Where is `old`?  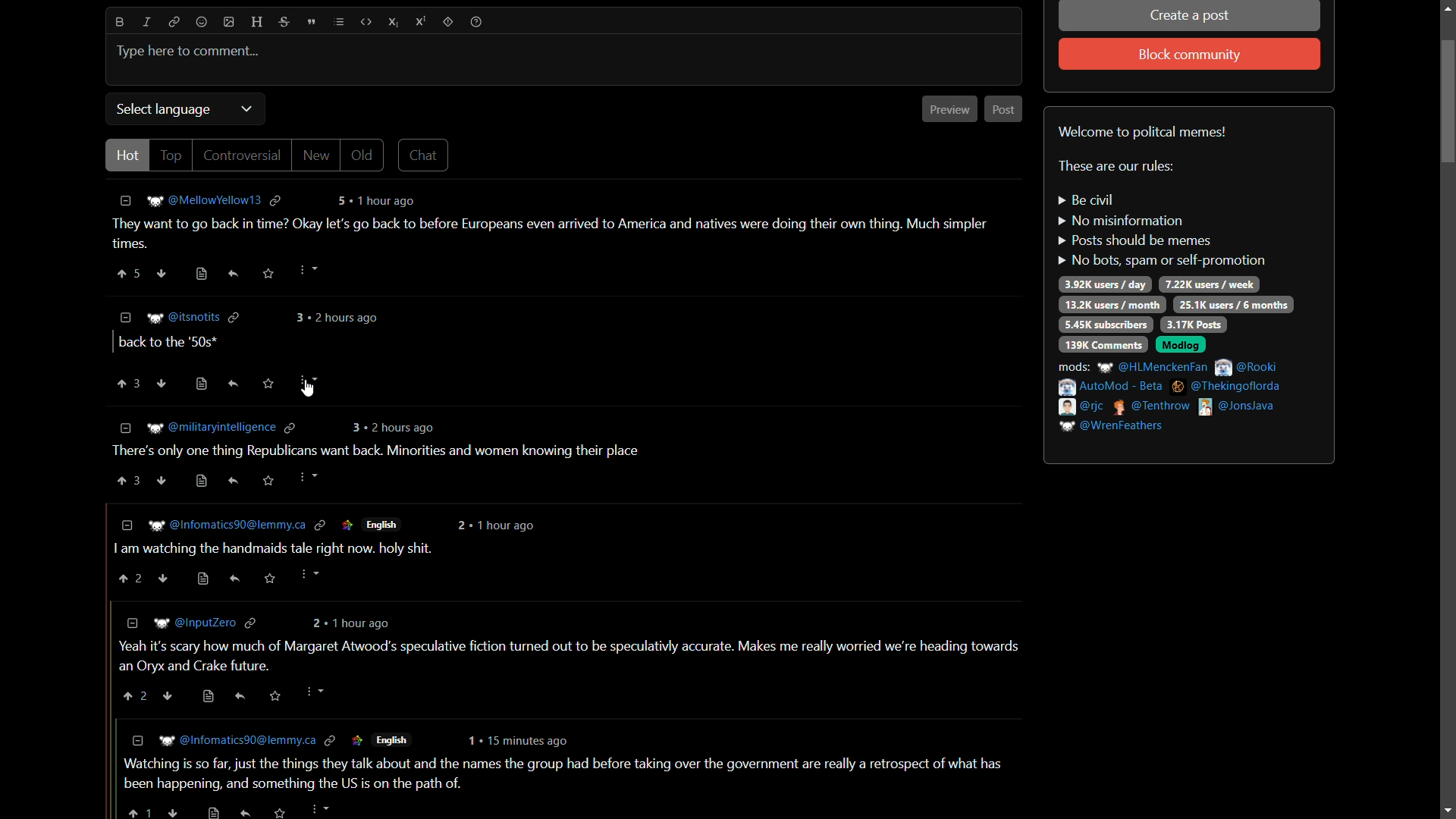 old is located at coordinates (365, 155).